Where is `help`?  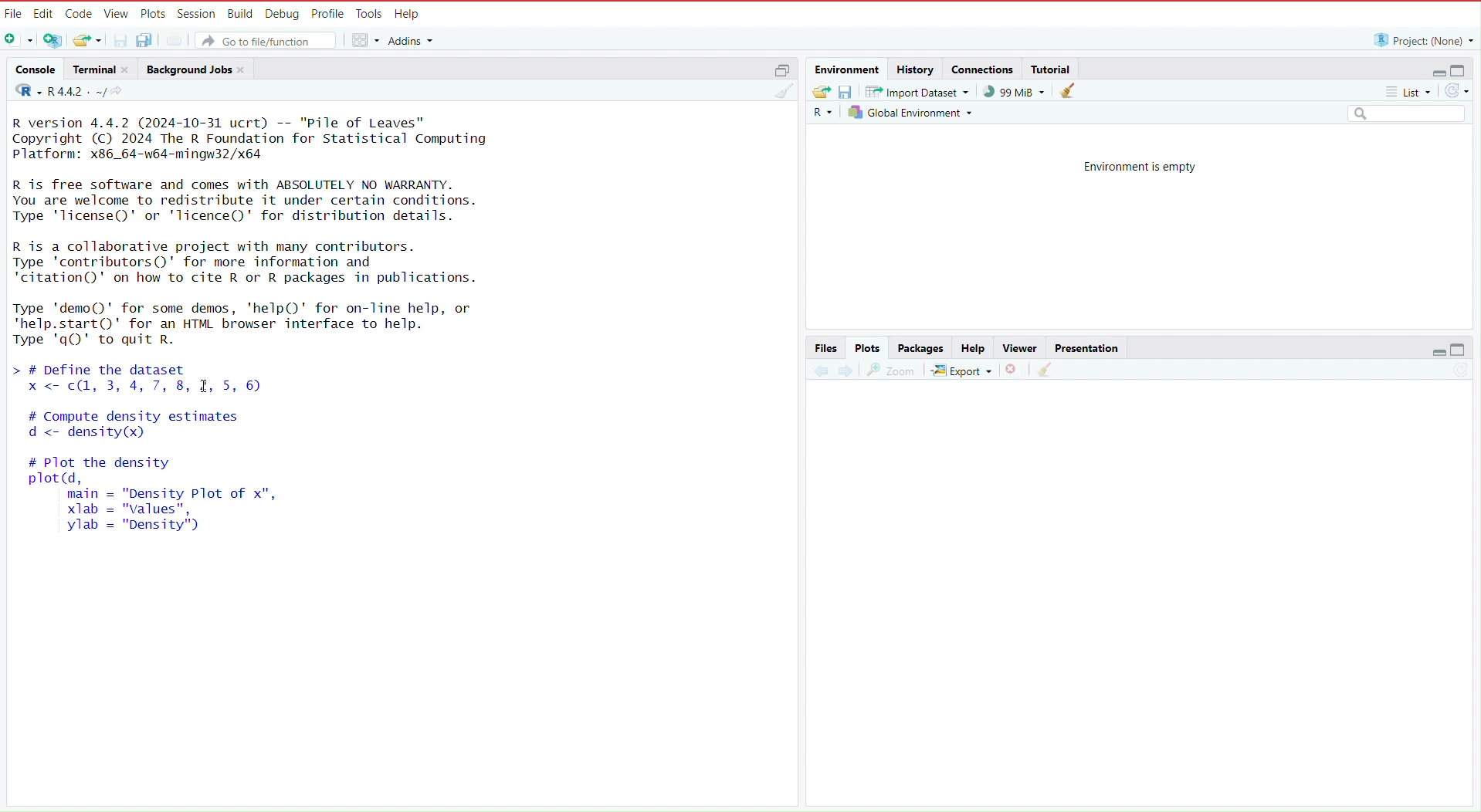
help is located at coordinates (410, 12).